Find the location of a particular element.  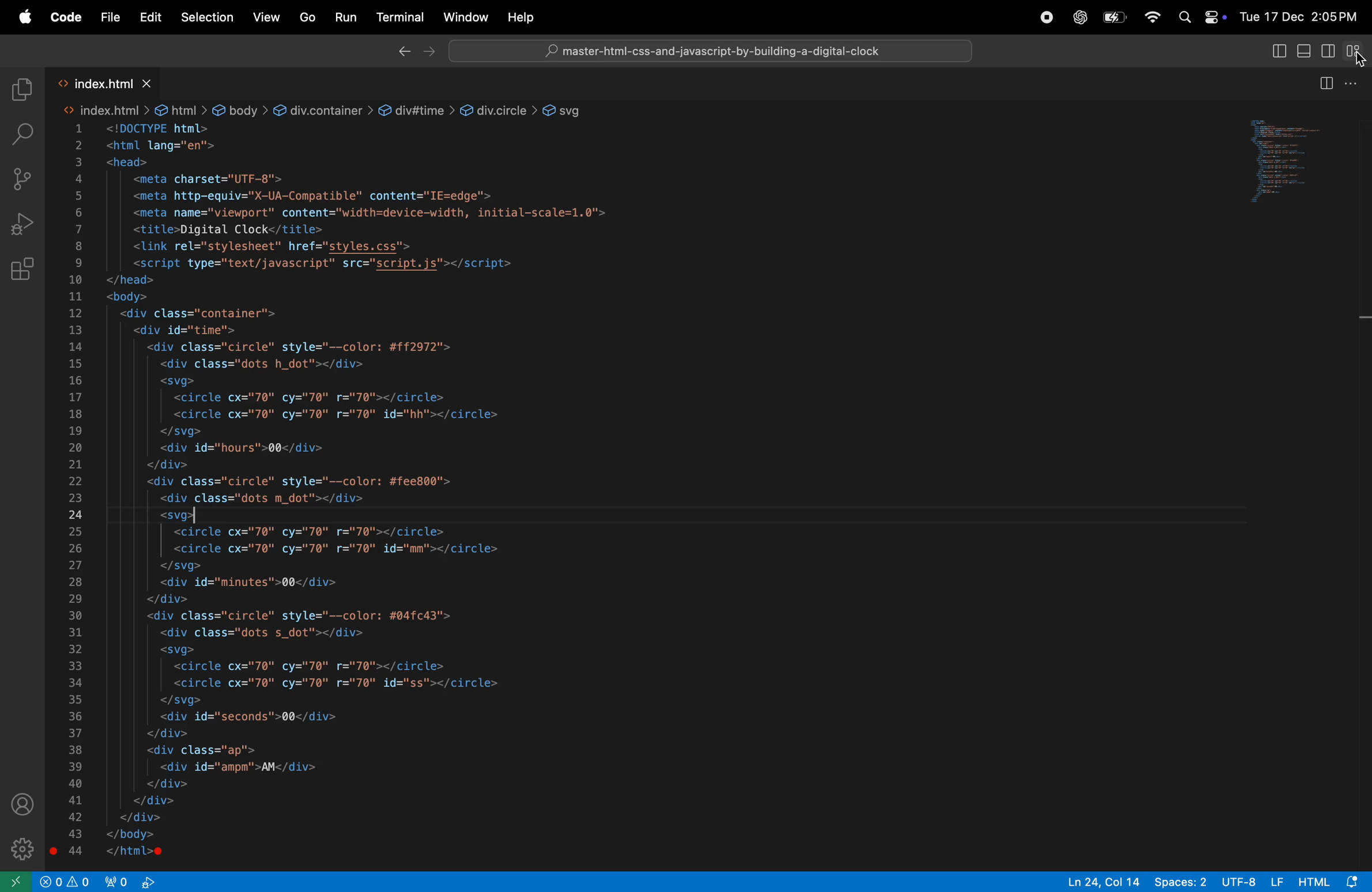

no problems is located at coordinates (65, 881).